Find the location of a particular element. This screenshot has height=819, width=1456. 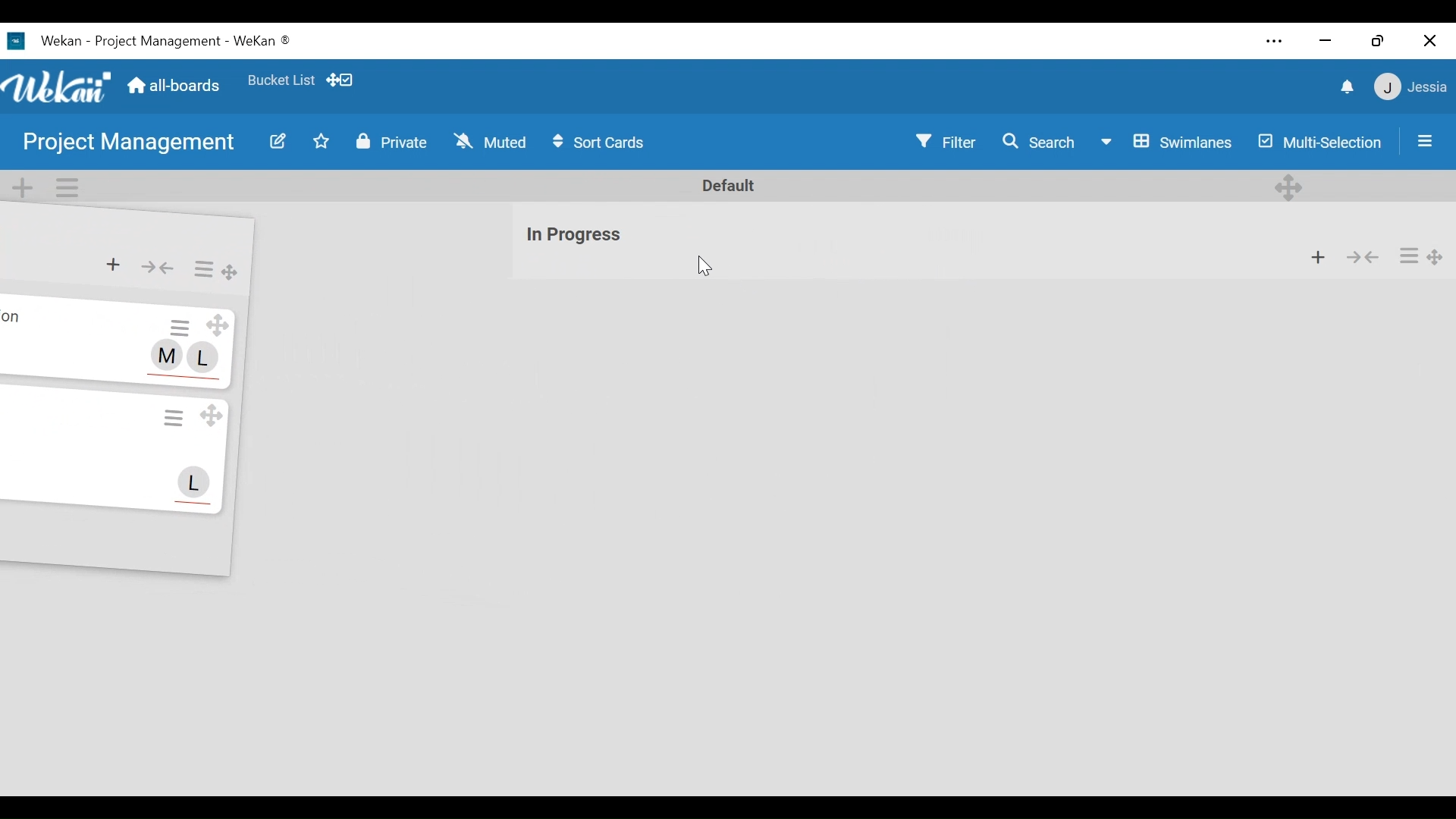

M is located at coordinates (166, 355).